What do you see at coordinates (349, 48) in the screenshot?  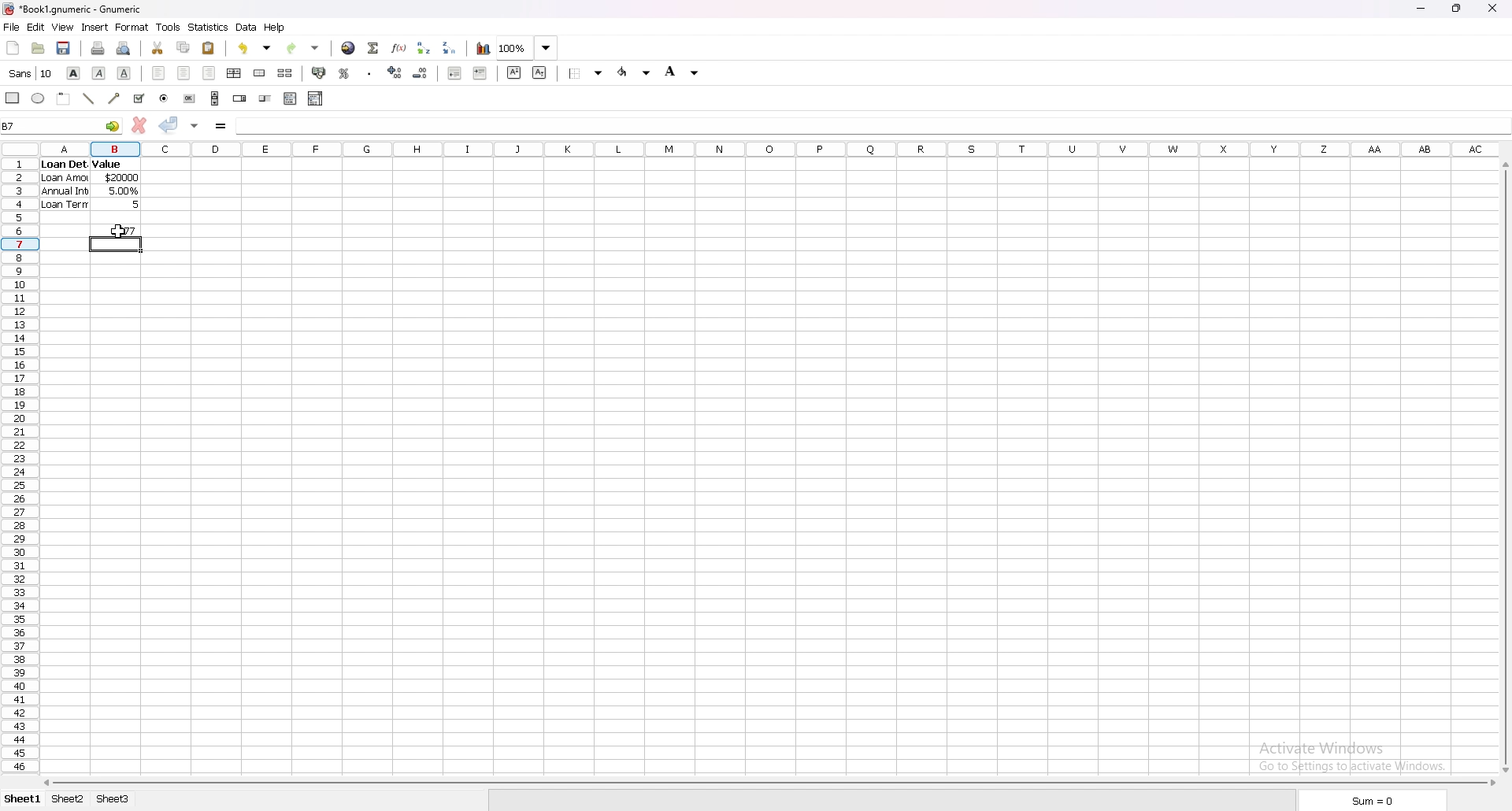 I see `hyperlink` at bounding box center [349, 48].